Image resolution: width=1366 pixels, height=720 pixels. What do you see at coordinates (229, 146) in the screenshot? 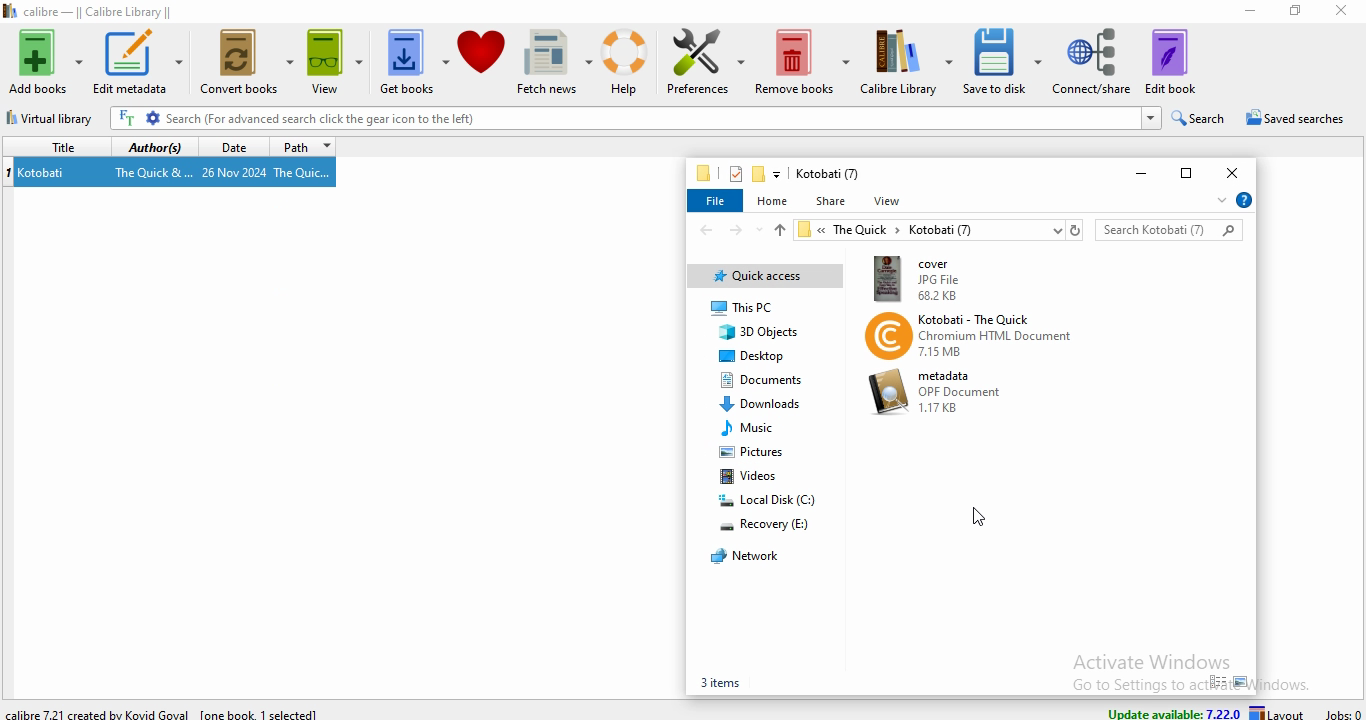
I see `date` at bounding box center [229, 146].